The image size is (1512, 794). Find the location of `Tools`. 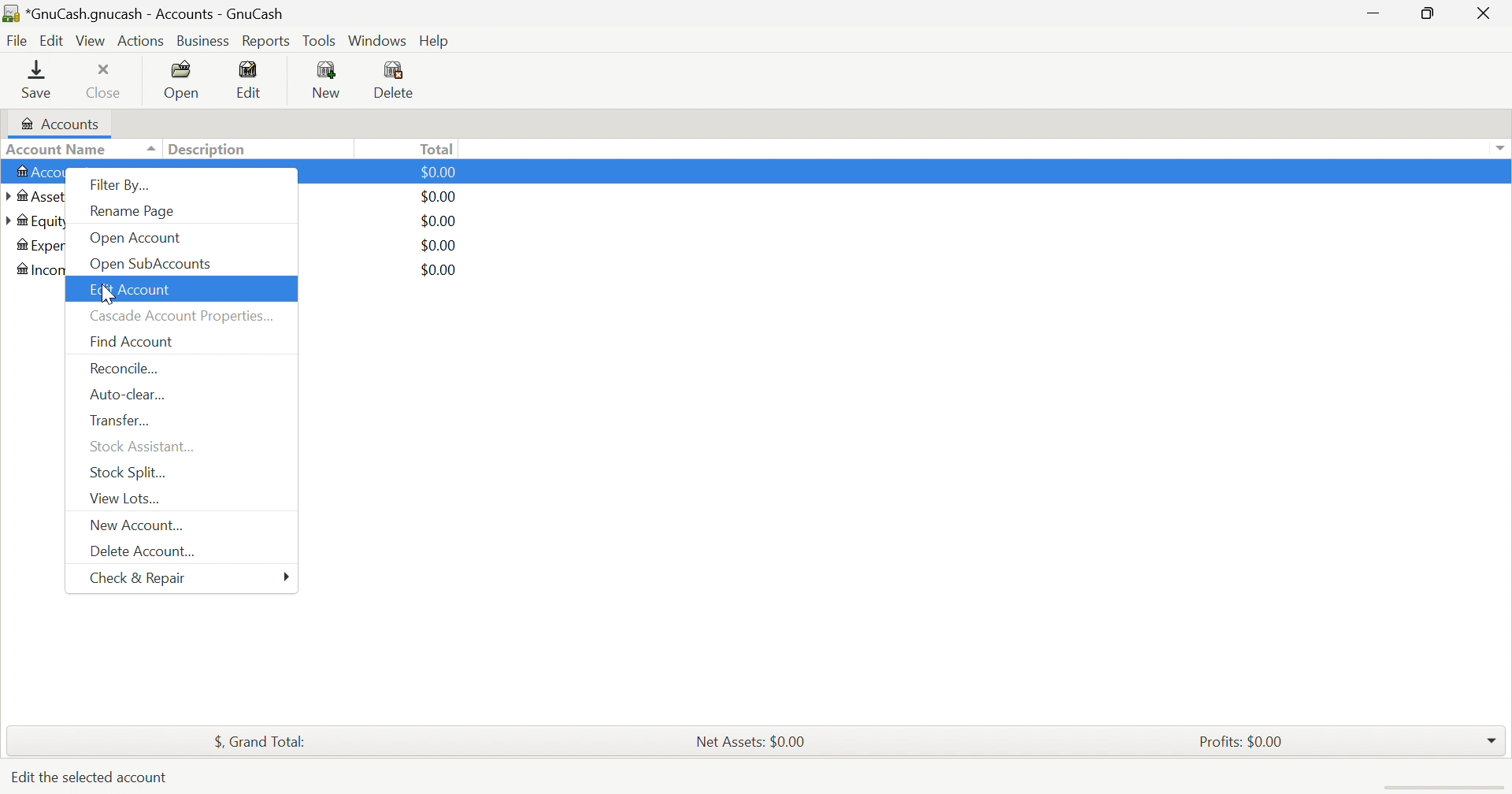

Tools is located at coordinates (319, 42).